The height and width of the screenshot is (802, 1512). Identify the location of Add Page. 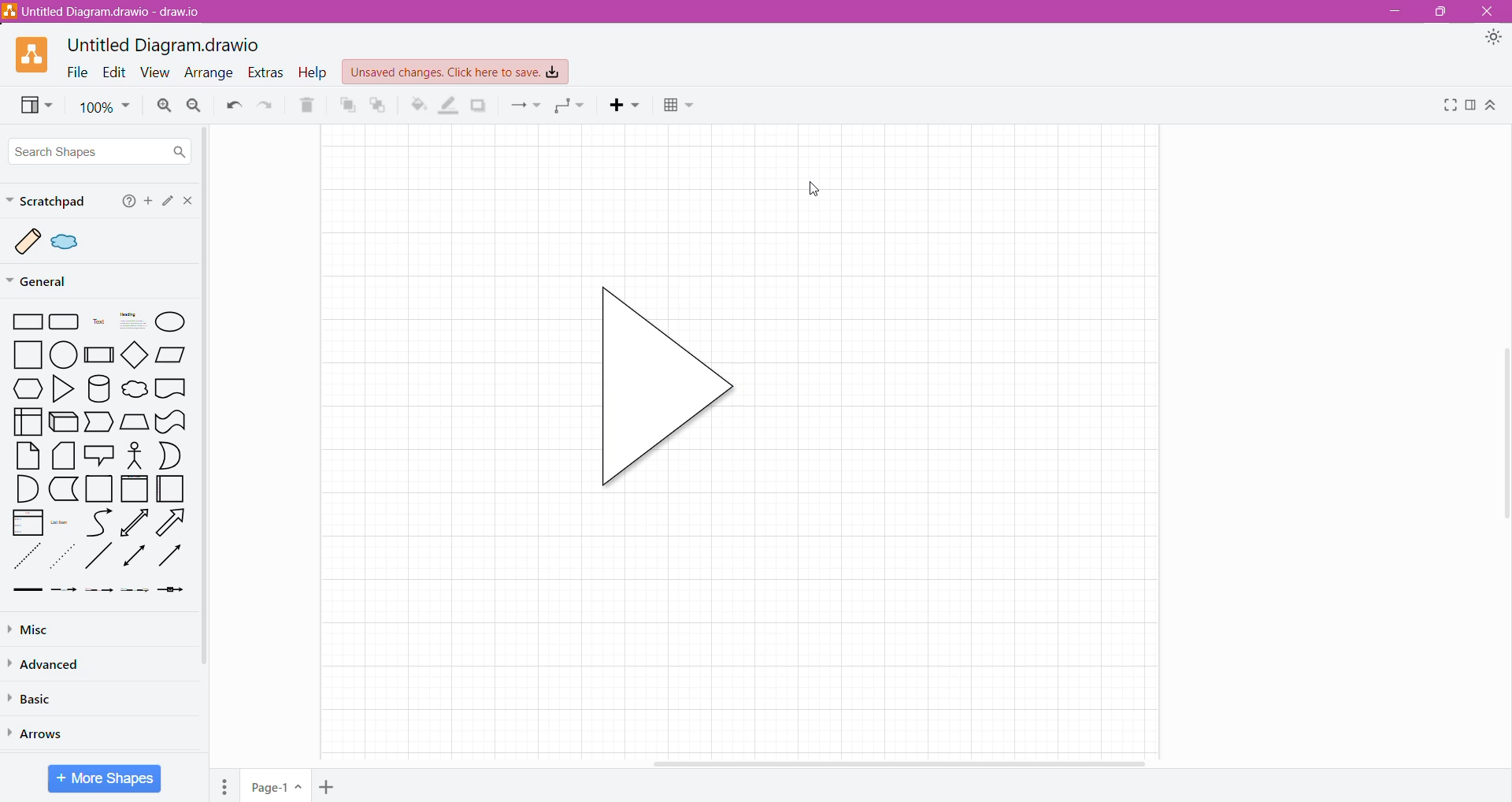
(328, 785).